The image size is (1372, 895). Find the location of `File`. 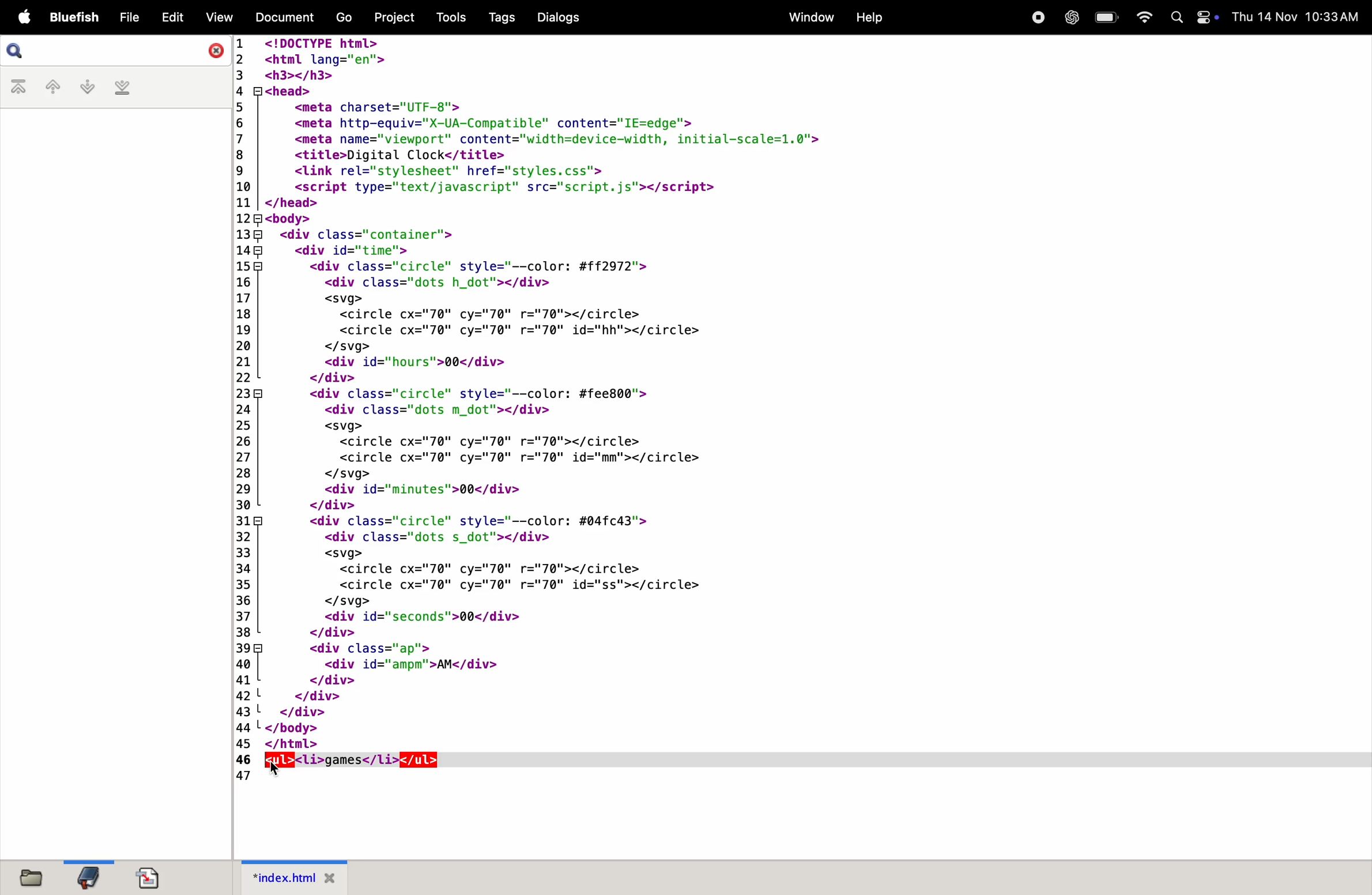

File is located at coordinates (130, 17).